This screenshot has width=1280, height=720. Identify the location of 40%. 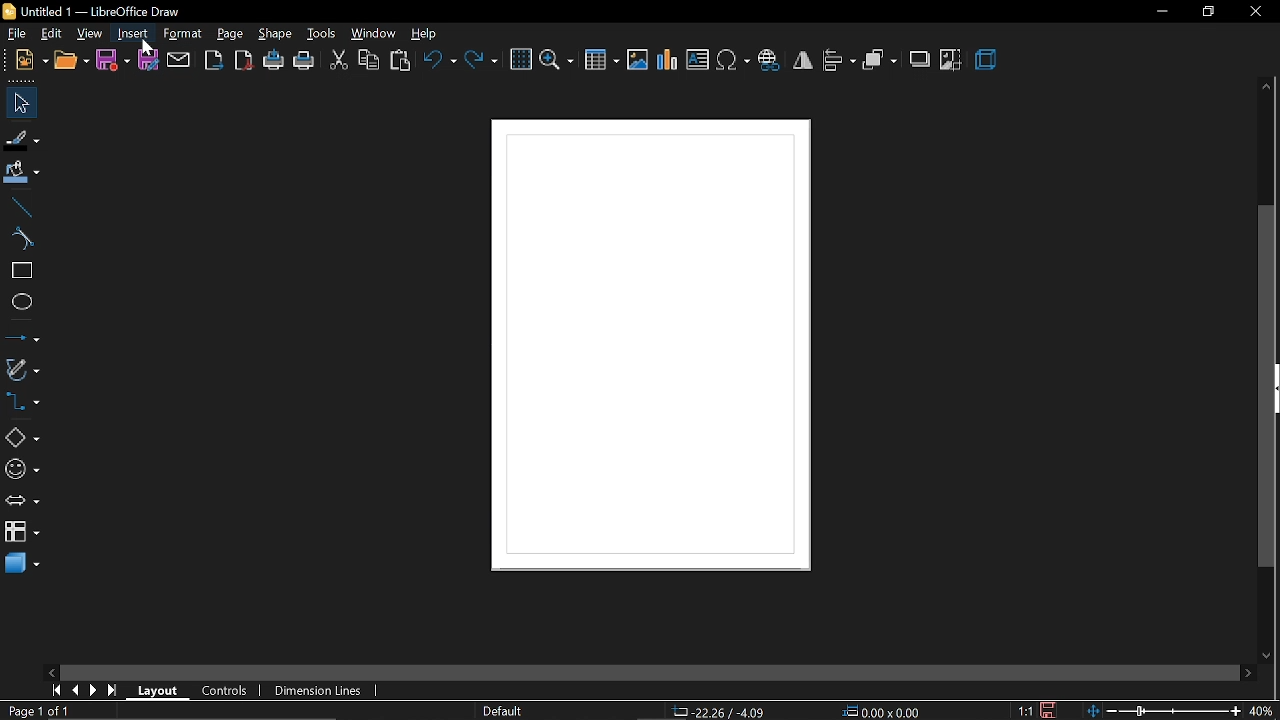
(1261, 710).